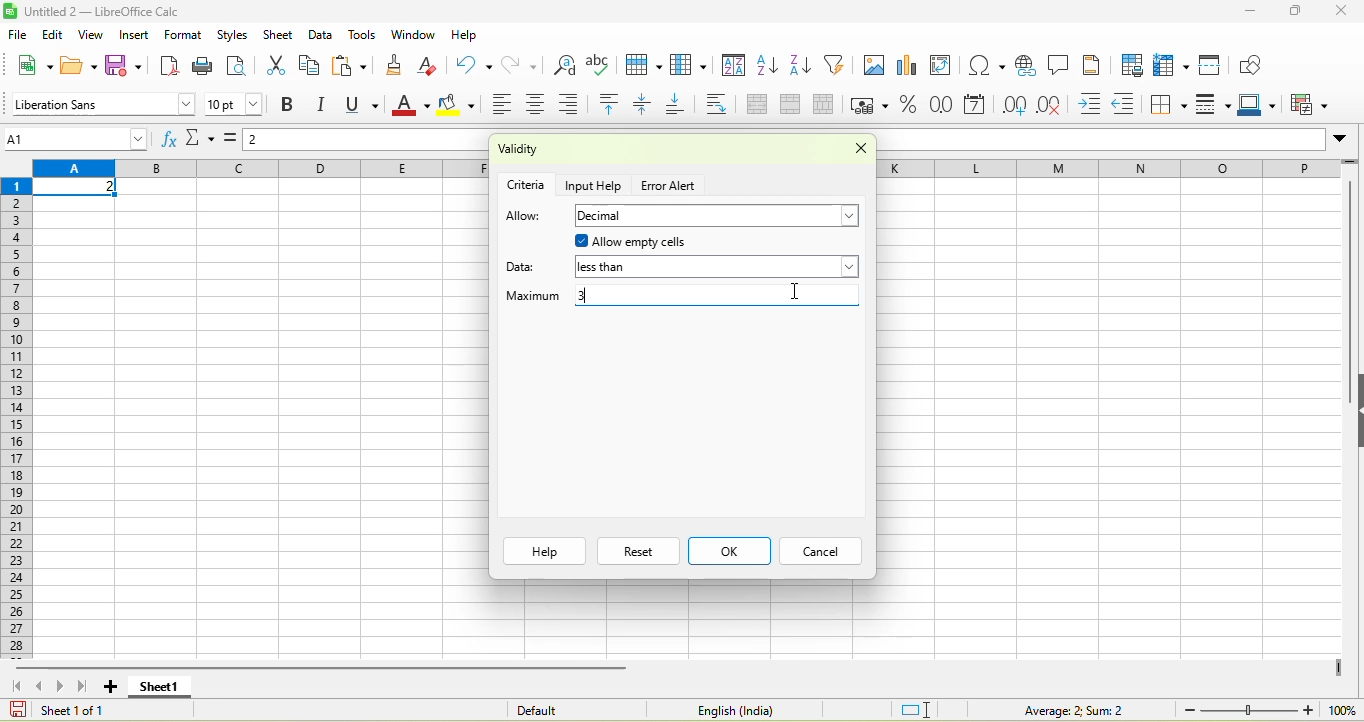 The height and width of the screenshot is (722, 1364). Describe the element at coordinates (1094, 105) in the screenshot. I see `increase indent` at that location.